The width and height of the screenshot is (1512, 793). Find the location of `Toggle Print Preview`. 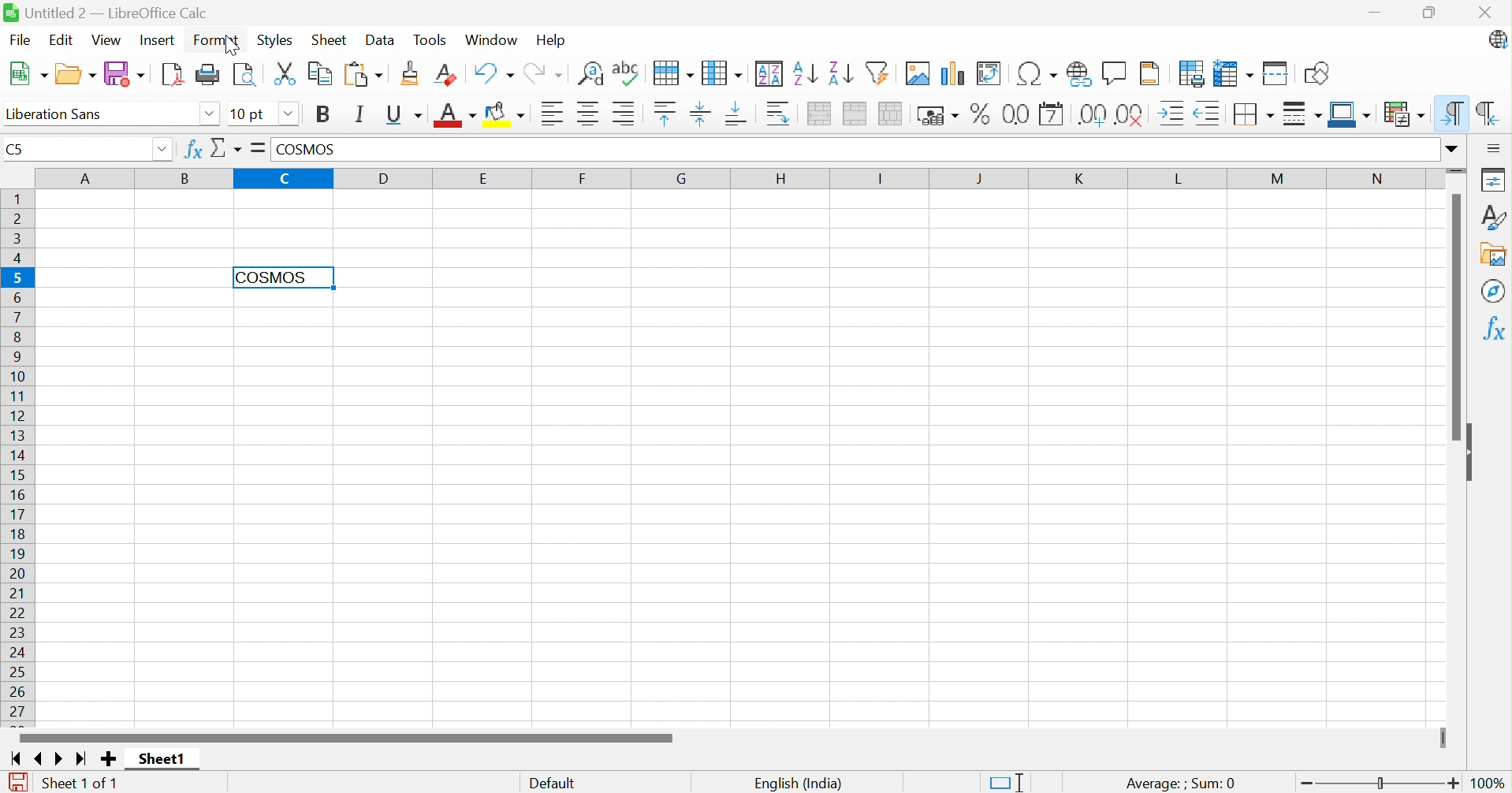

Toggle Print Preview is located at coordinates (245, 75).